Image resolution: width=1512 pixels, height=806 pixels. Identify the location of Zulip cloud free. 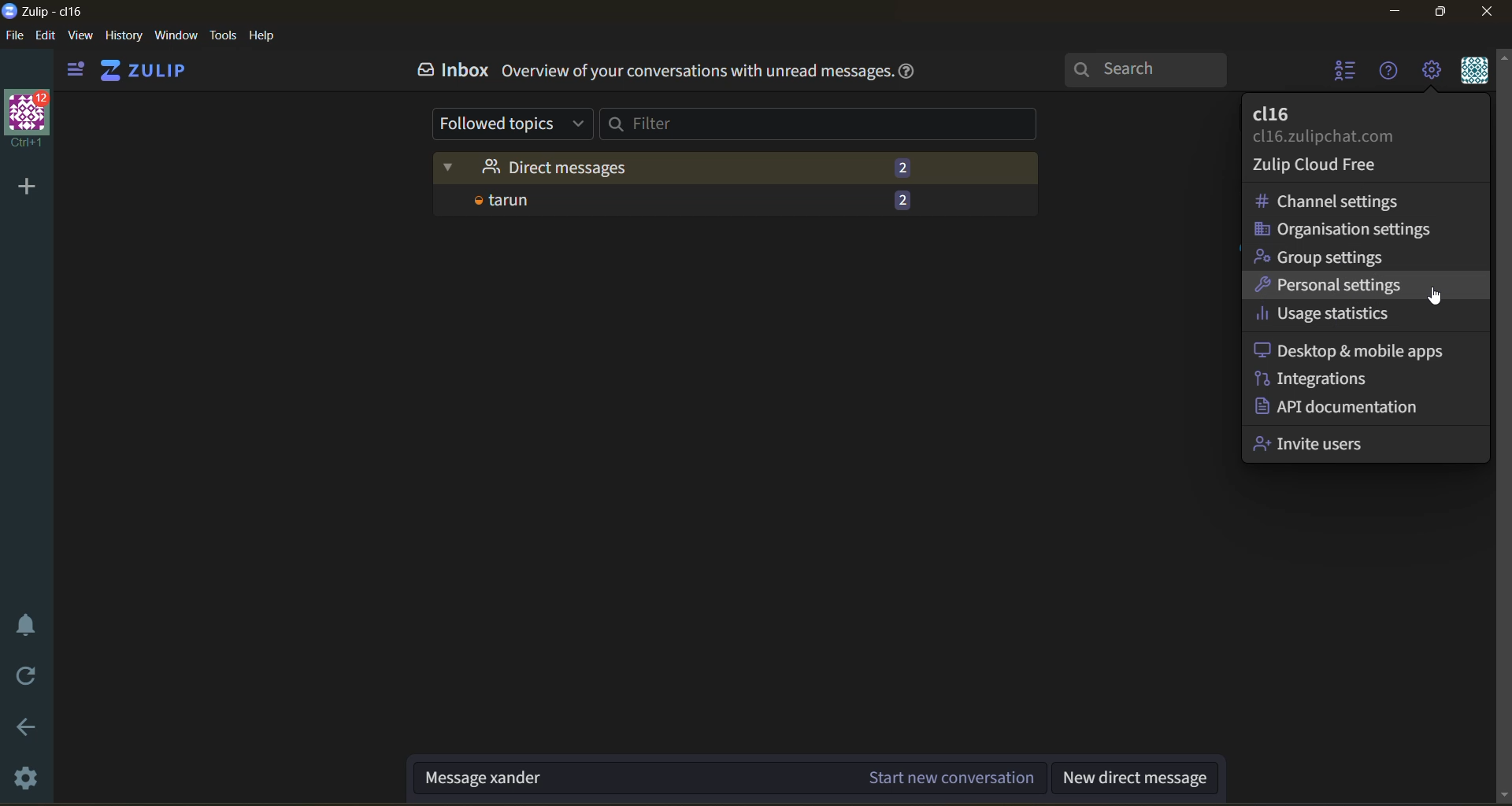
(1313, 166).